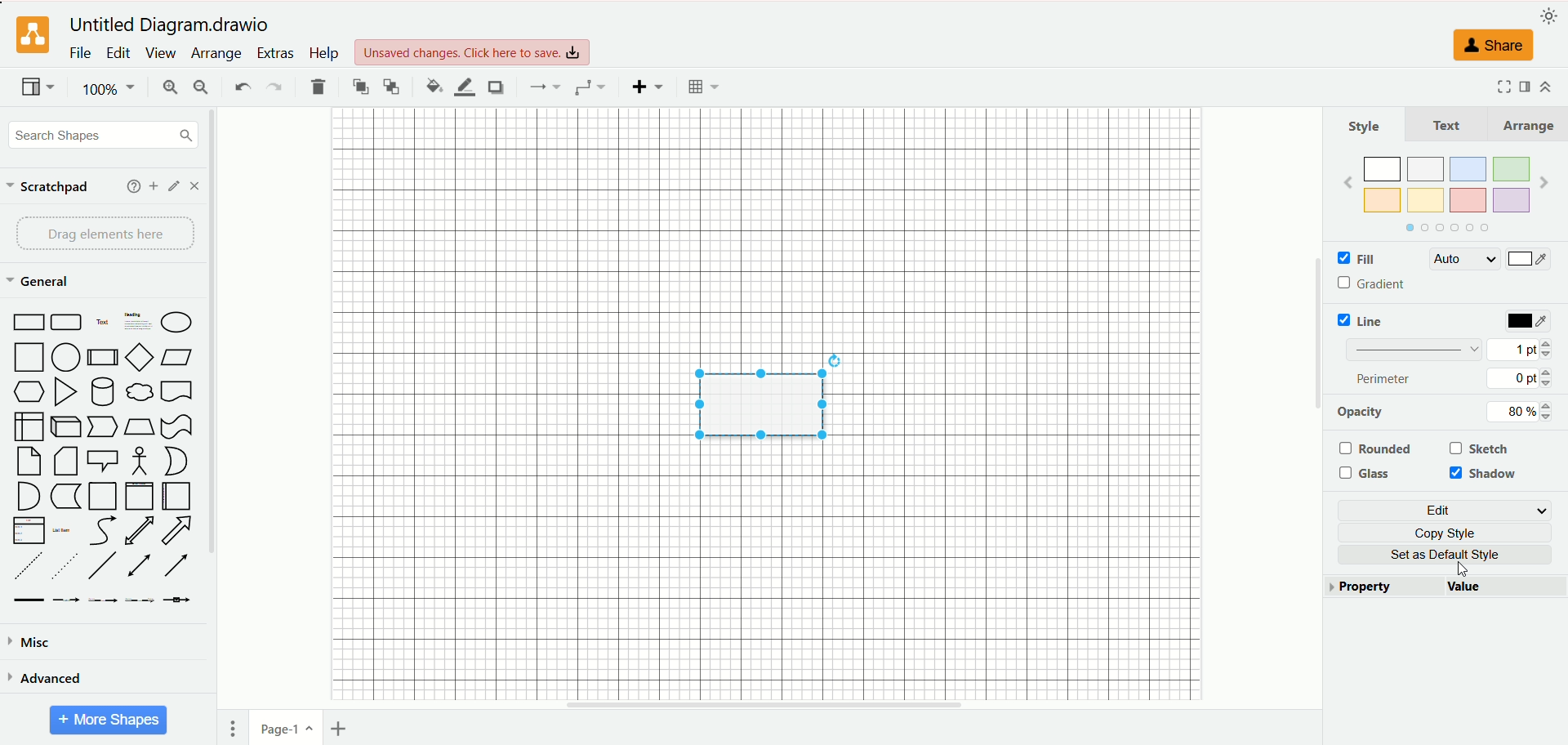 This screenshot has width=1568, height=745. Describe the element at coordinates (464, 87) in the screenshot. I see `line color` at that location.